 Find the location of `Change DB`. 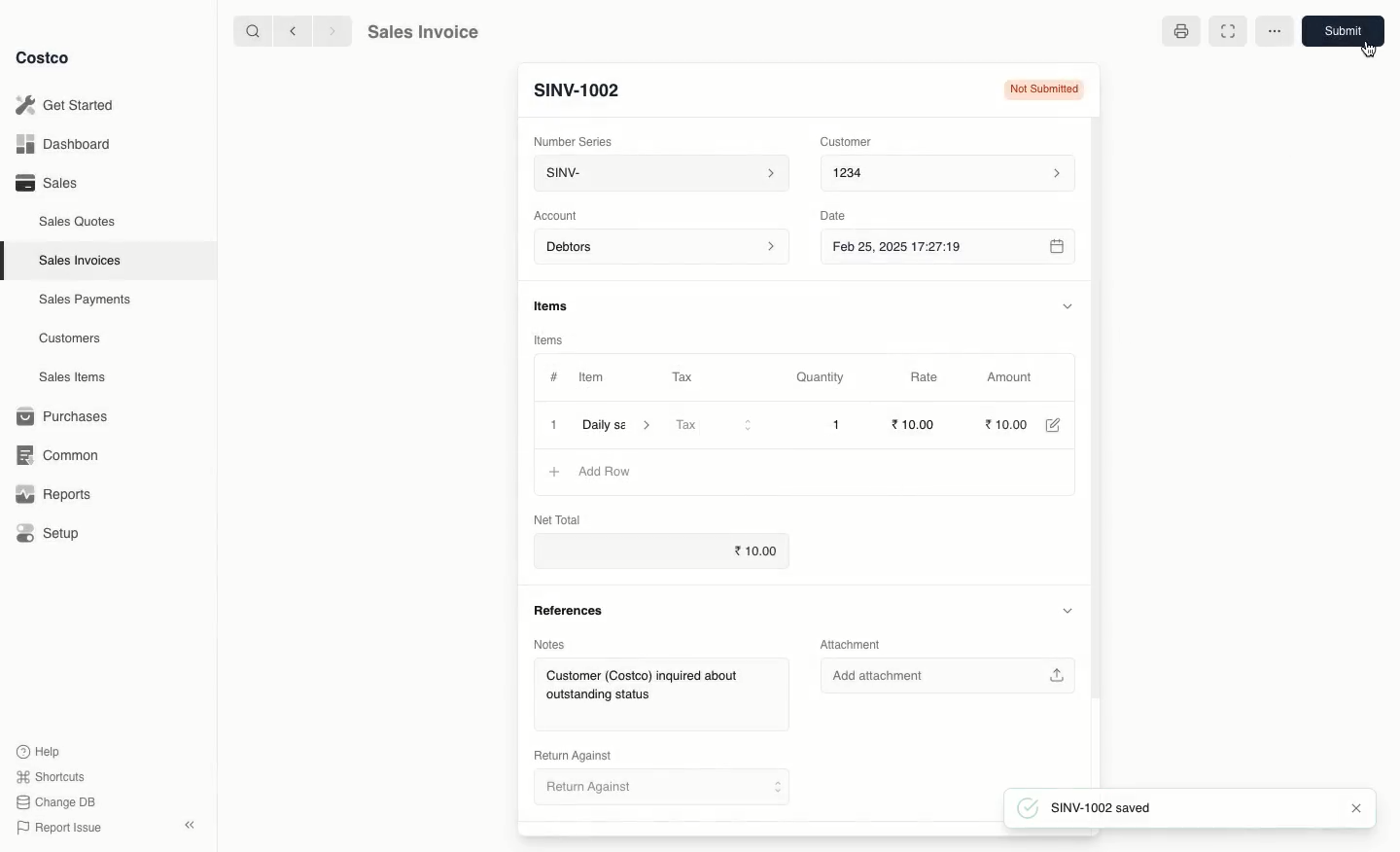

Change DB is located at coordinates (57, 801).